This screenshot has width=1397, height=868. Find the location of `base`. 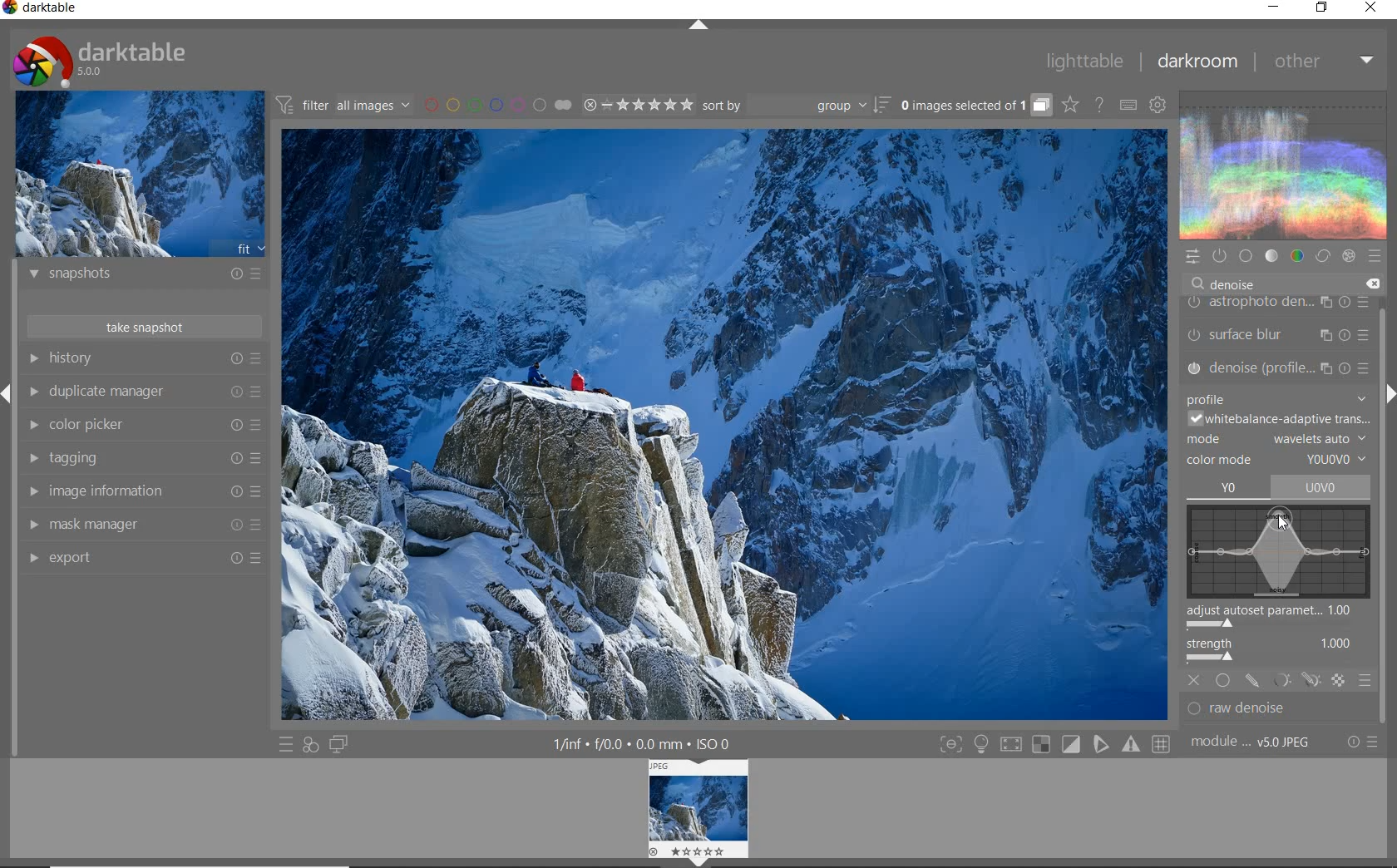

base is located at coordinates (1246, 255).